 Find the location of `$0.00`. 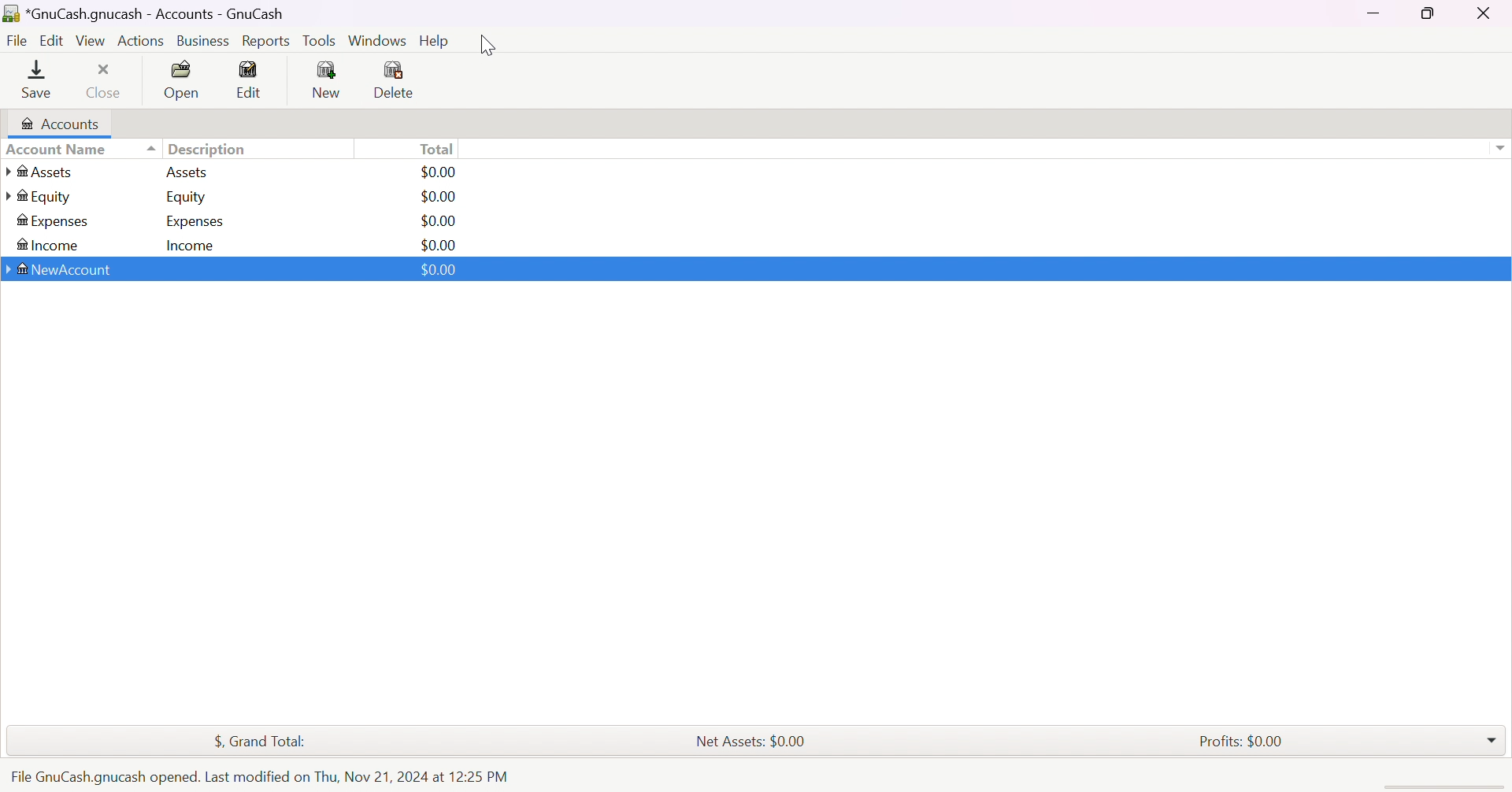

$0.00 is located at coordinates (445, 172).